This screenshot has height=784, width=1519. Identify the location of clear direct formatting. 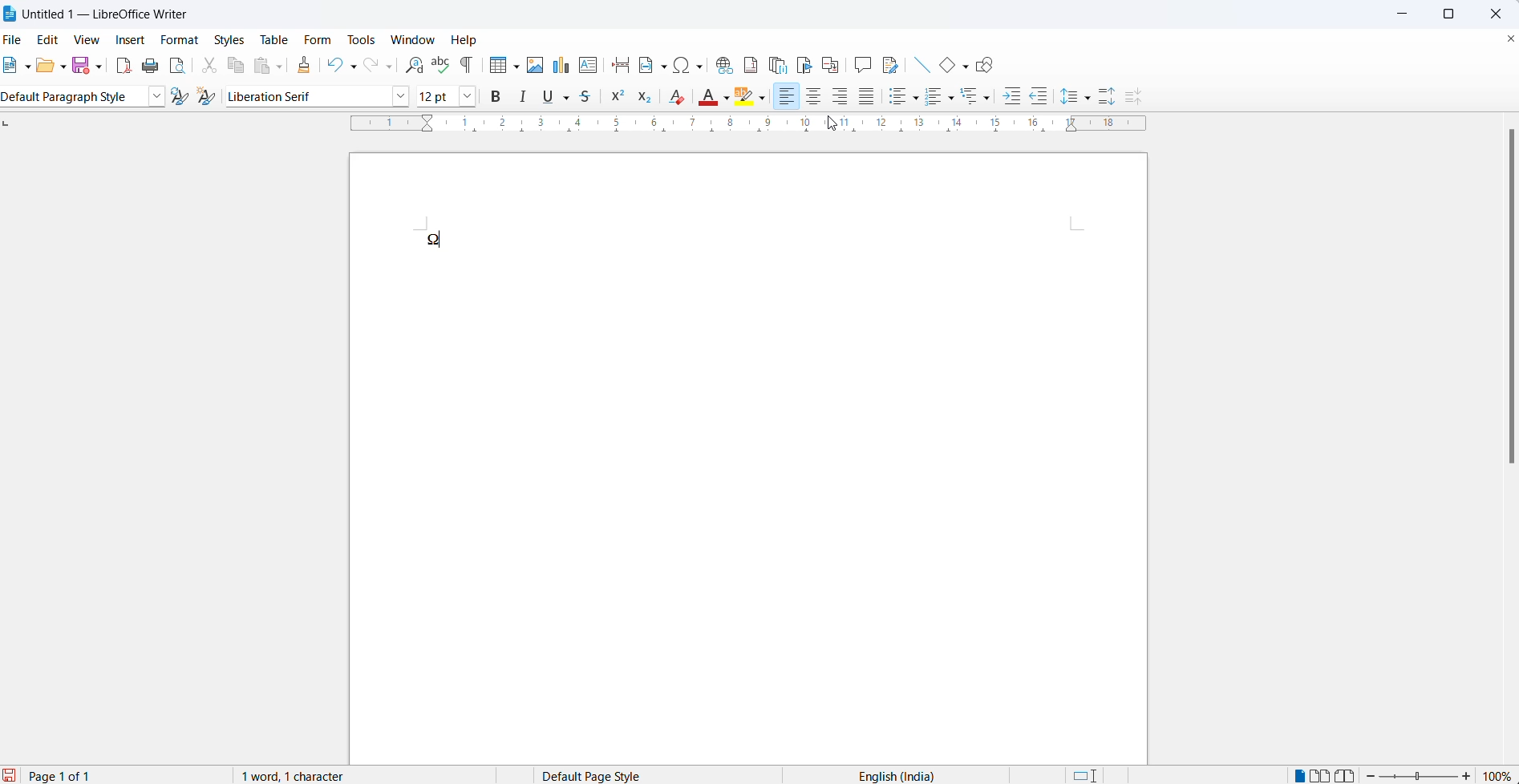
(674, 101).